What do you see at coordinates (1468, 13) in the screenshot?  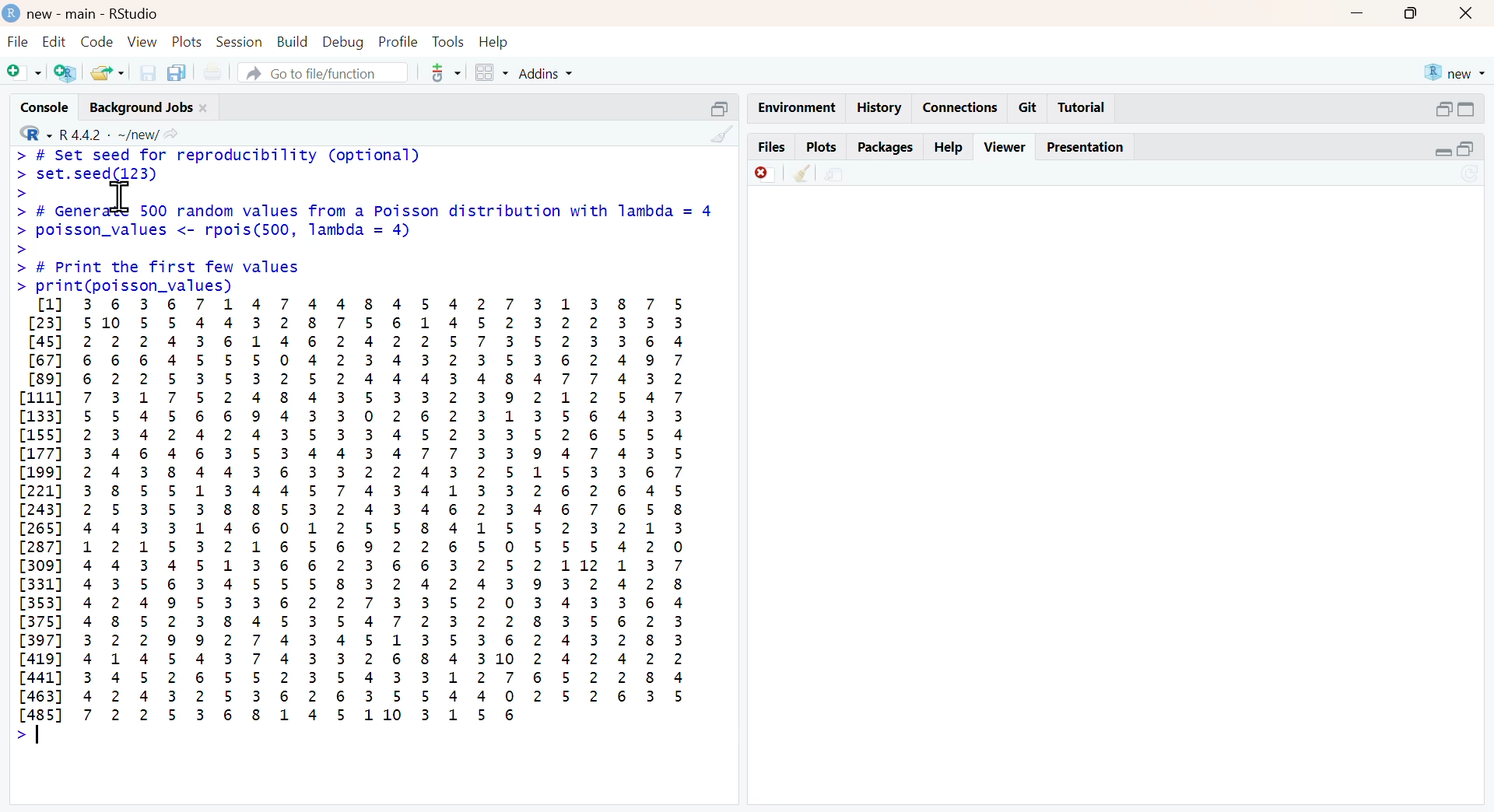 I see `close` at bounding box center [1468, 13].